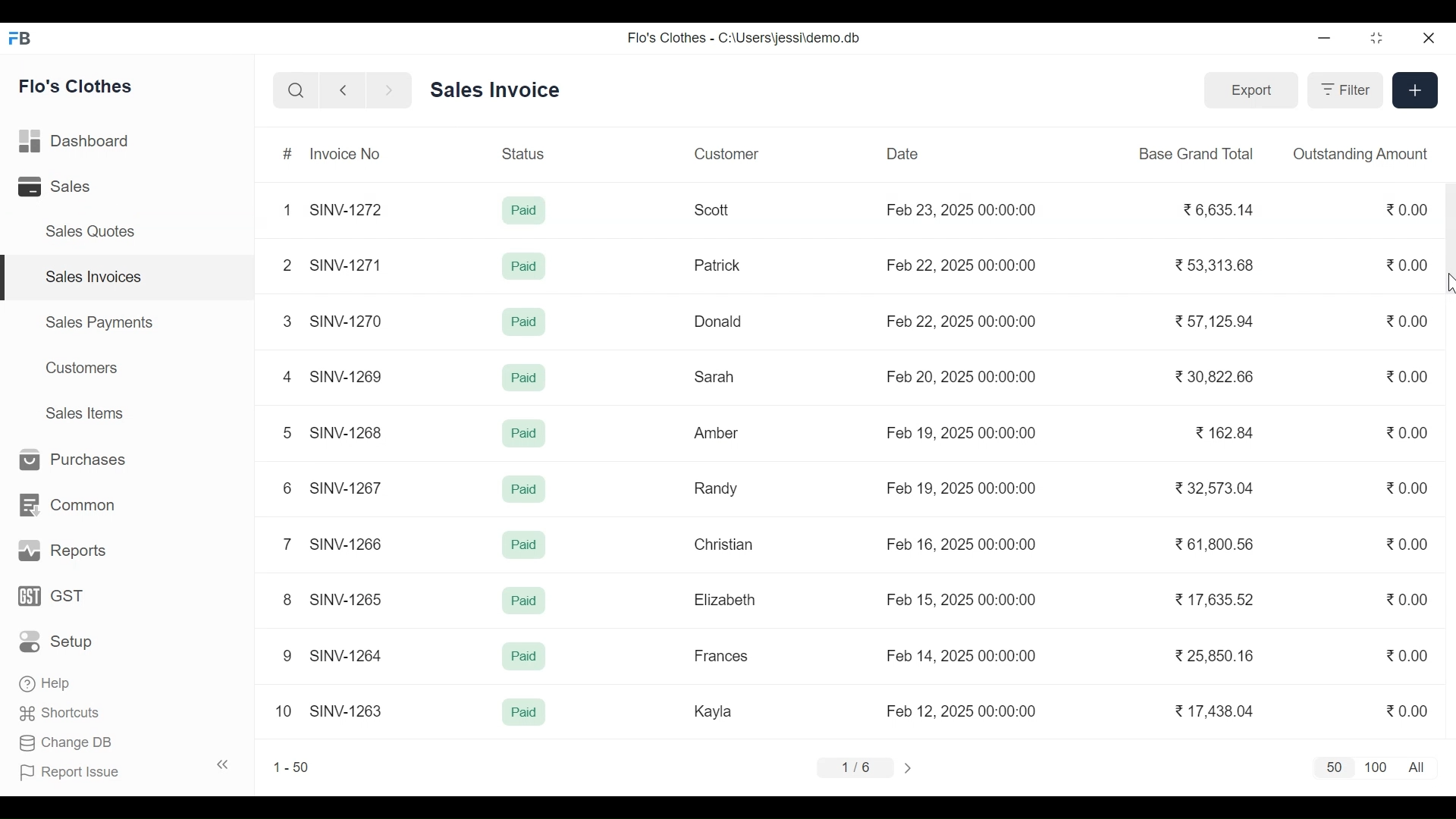 This screenshot has width=1456, height=819. I want to click on Paid, so click(522, 378).